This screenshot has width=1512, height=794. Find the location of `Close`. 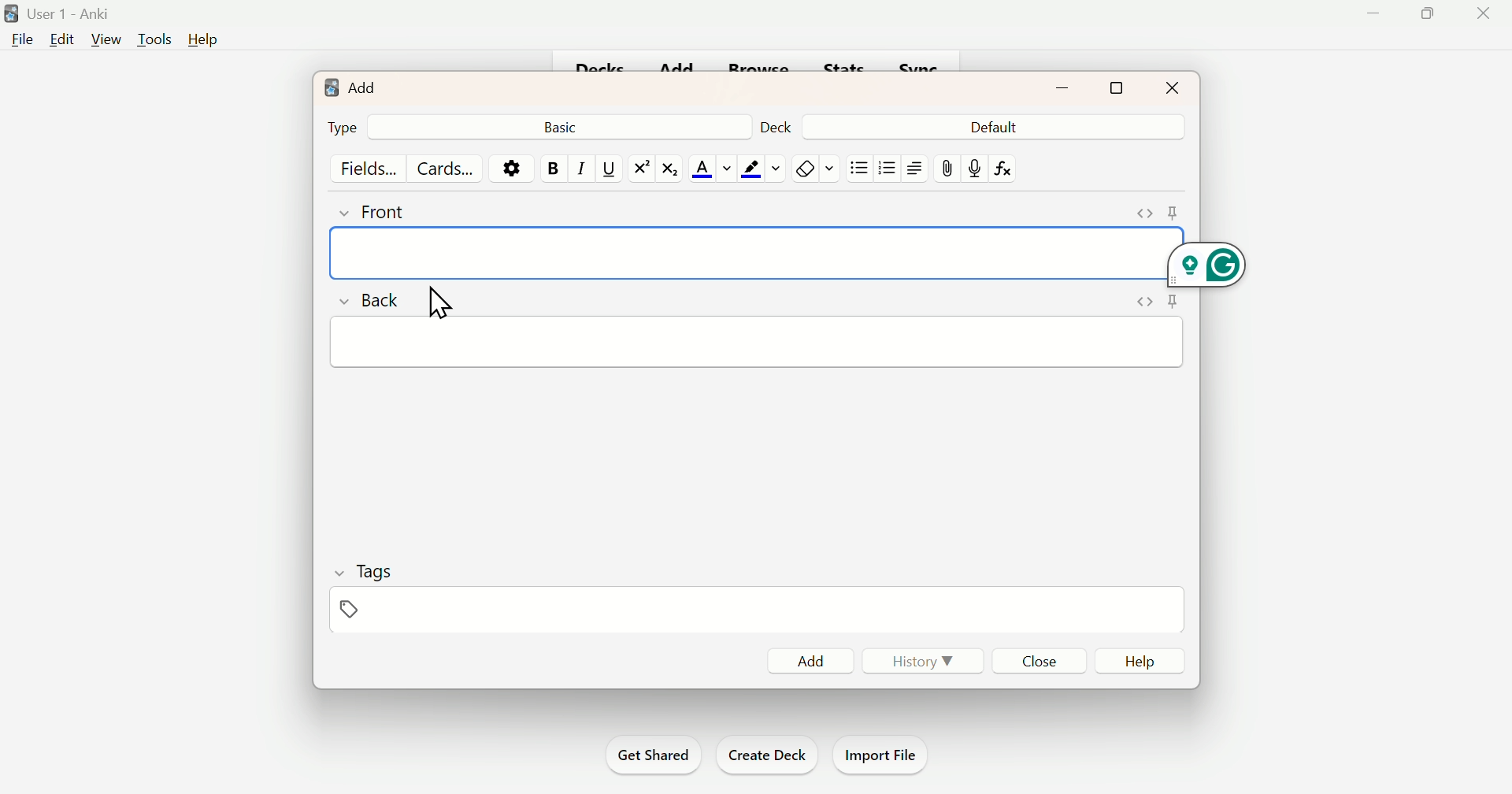

Close is located at coordinates (1036, 660).